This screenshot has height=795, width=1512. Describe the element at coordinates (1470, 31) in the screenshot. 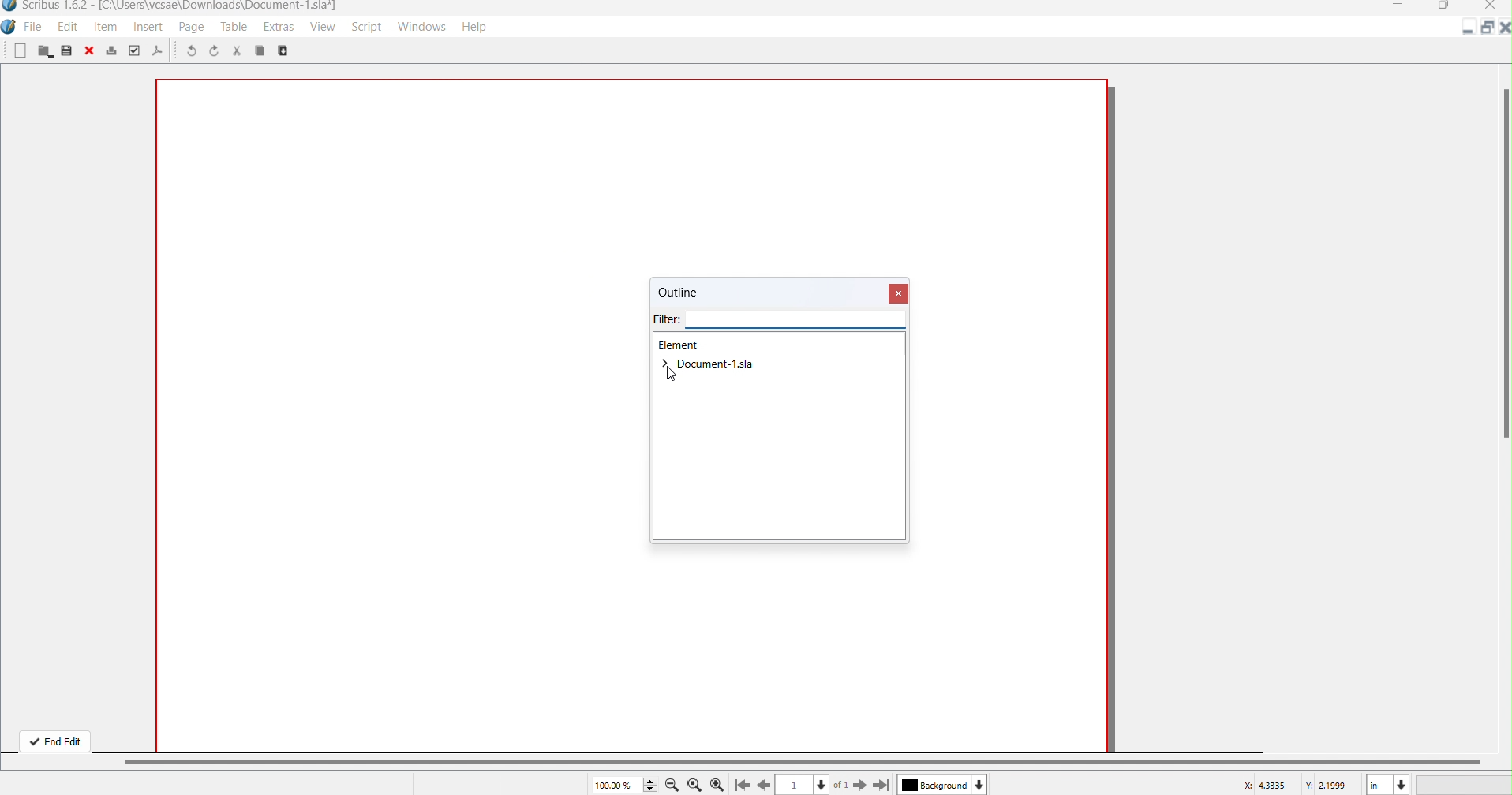

I see `Minimize` at that location.